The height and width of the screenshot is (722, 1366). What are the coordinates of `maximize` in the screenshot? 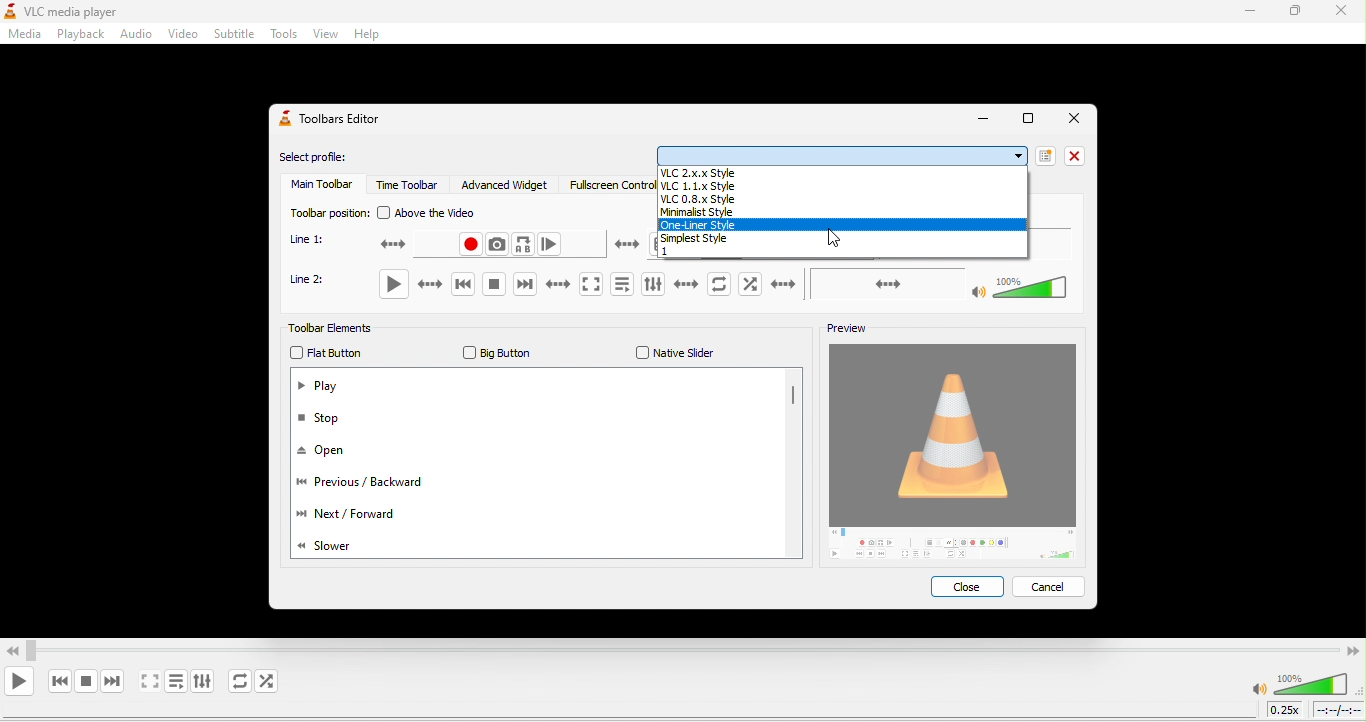 It's located at (1296, 13).